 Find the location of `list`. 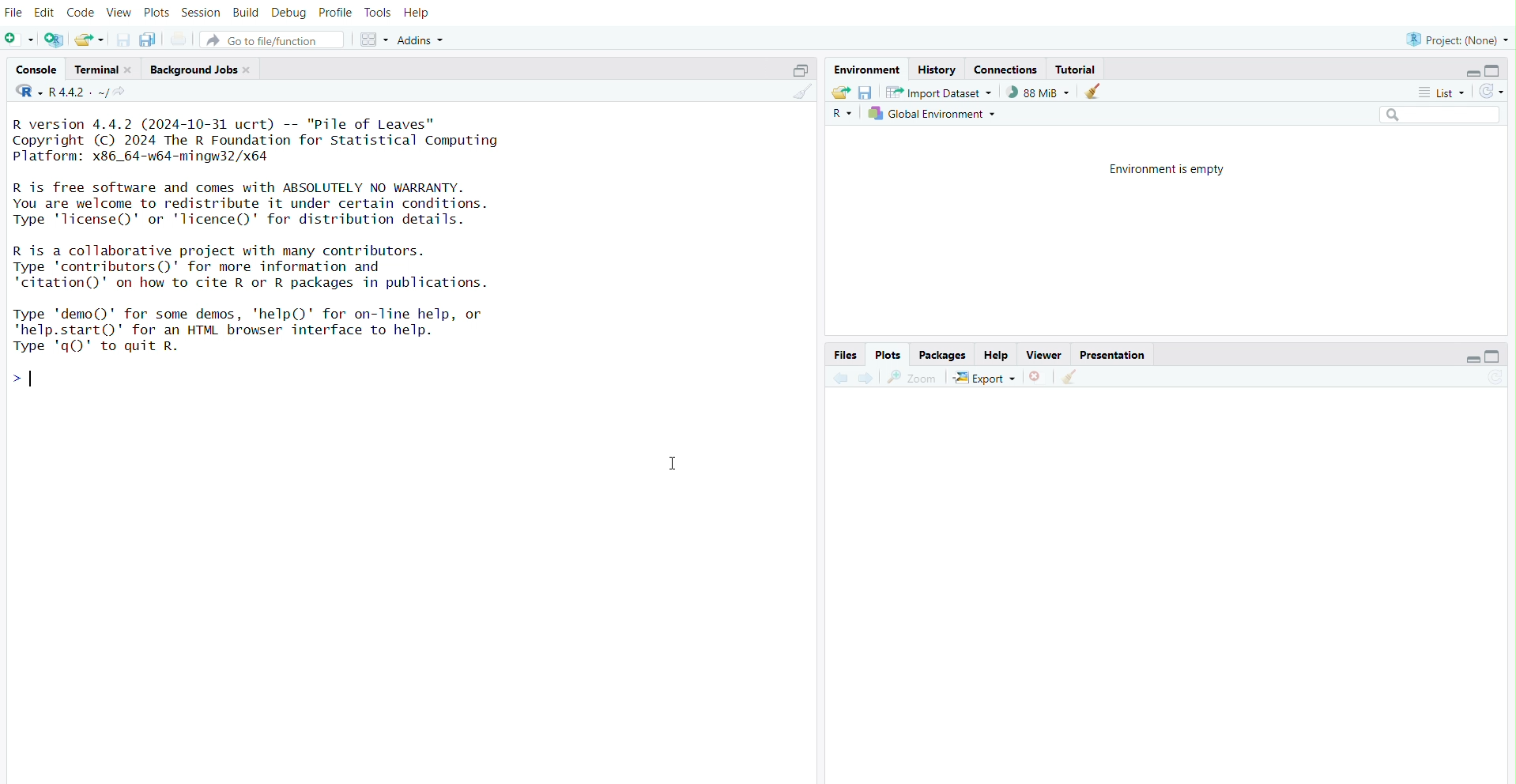

list is located at coordinates (1444, 93).